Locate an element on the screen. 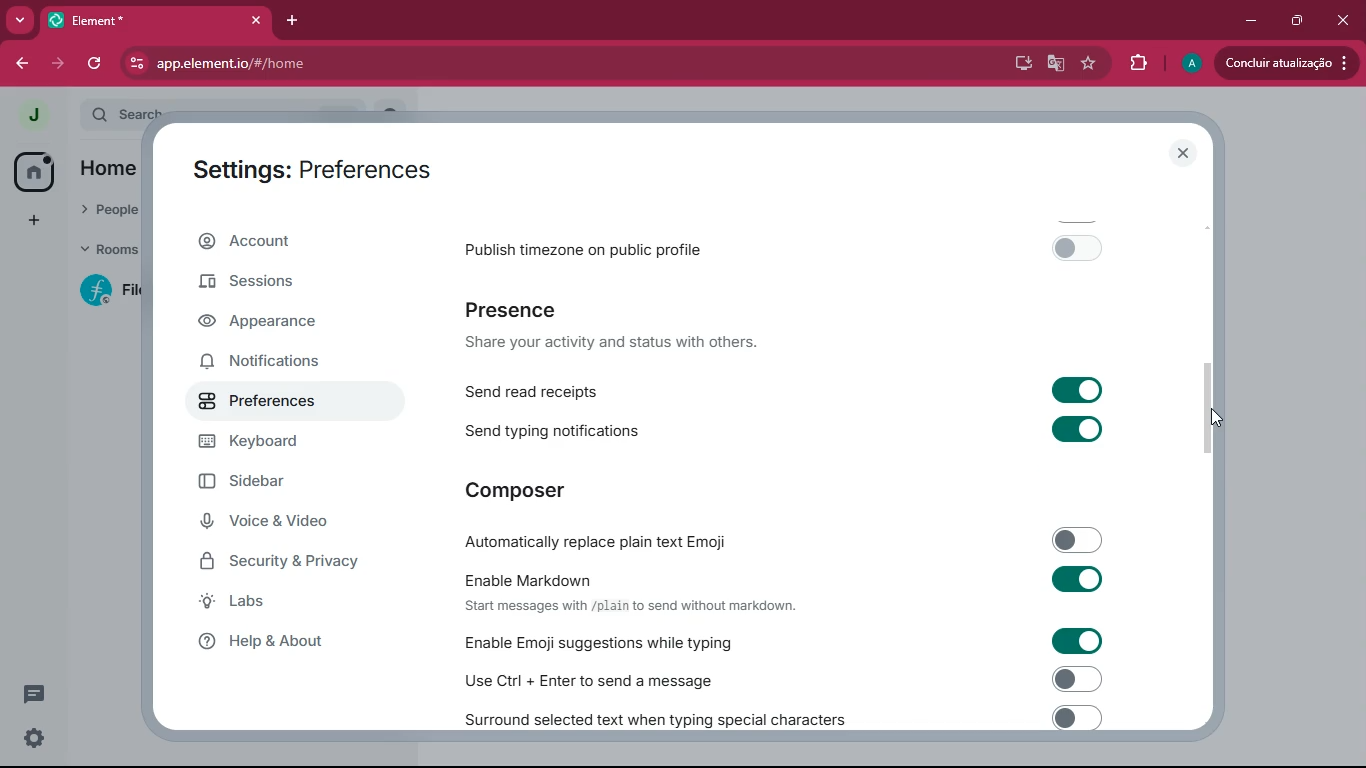  security is located at coordinates (292, 563).